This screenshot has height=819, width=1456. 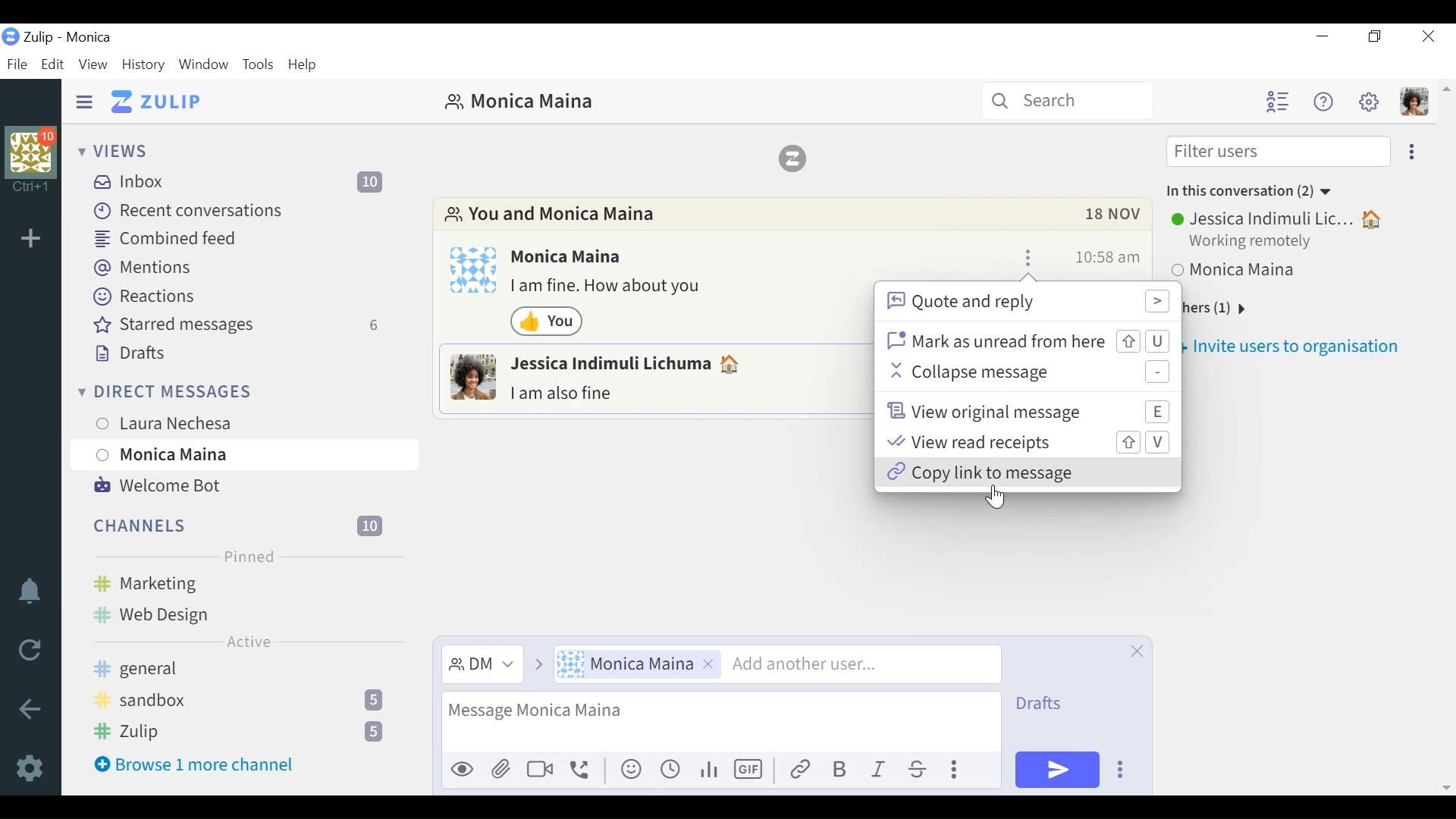 What do you see at coordinates (146, 65) in the screenshot?
I see `History` at bounding box center [146, 65].